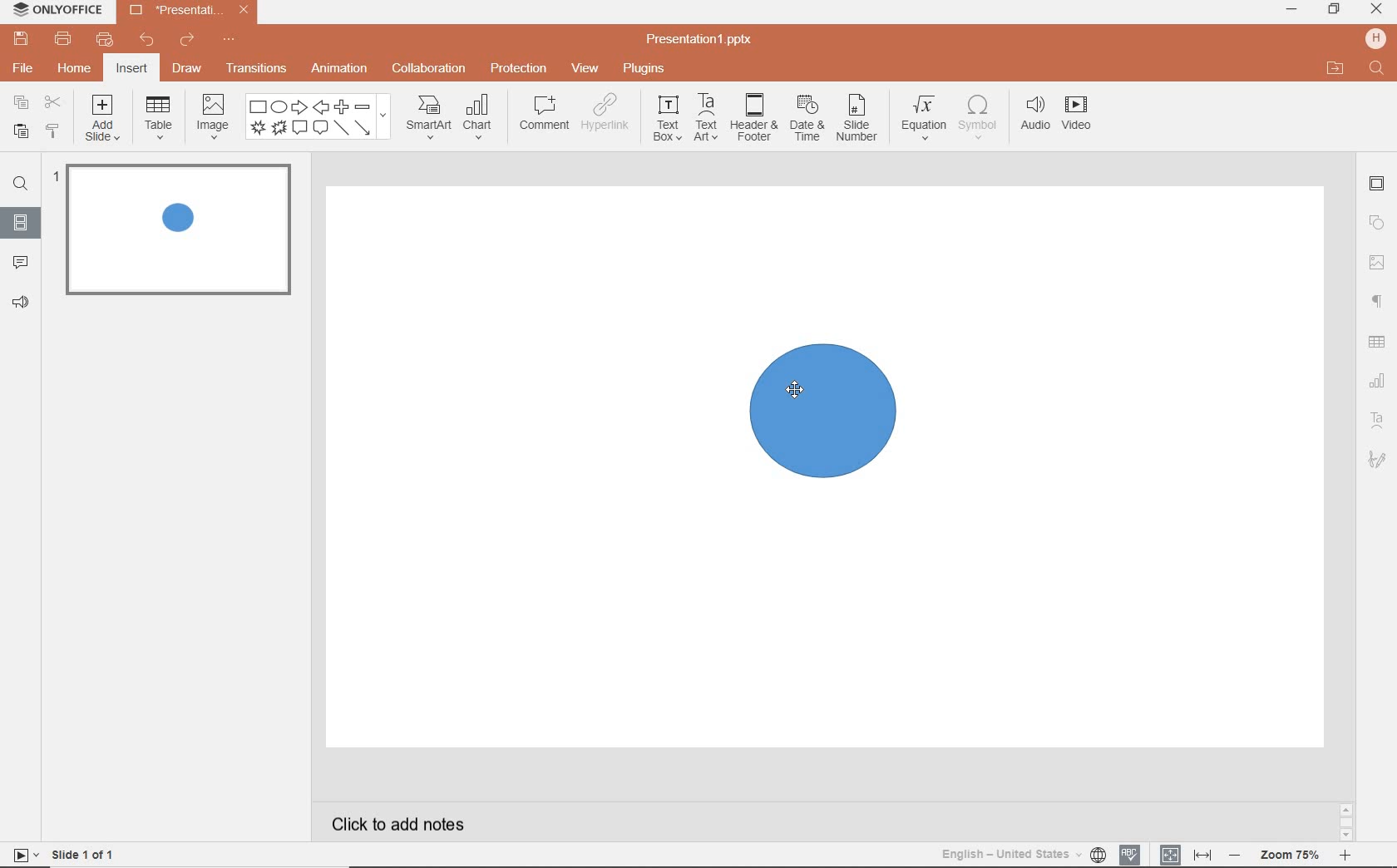 The image size is (1397, 868). I want to click on chart, so click(1376, 382).